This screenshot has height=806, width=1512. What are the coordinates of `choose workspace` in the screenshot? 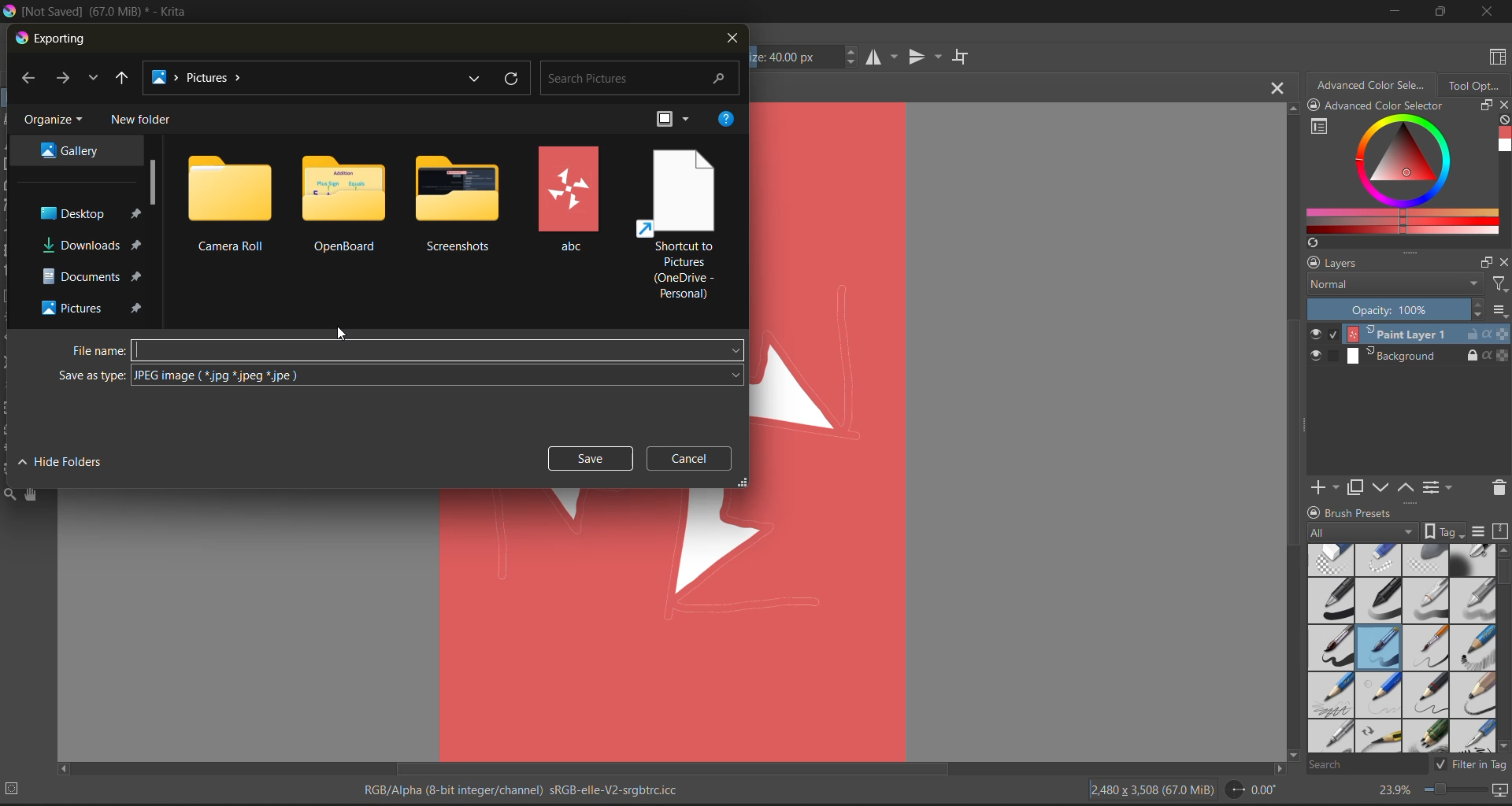 It's located at (1499, 57).